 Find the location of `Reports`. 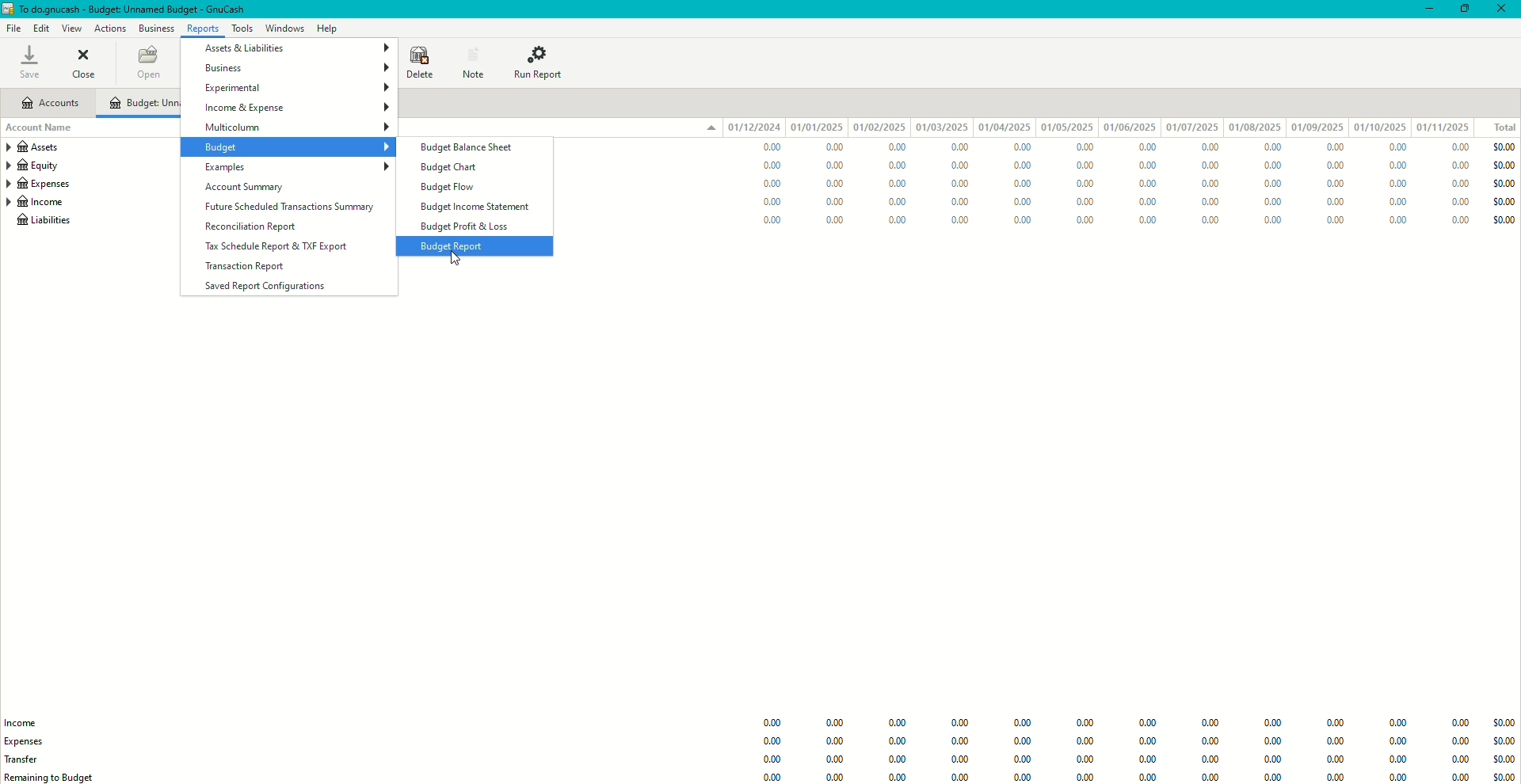

Reports is located at coordinates (203, 29).